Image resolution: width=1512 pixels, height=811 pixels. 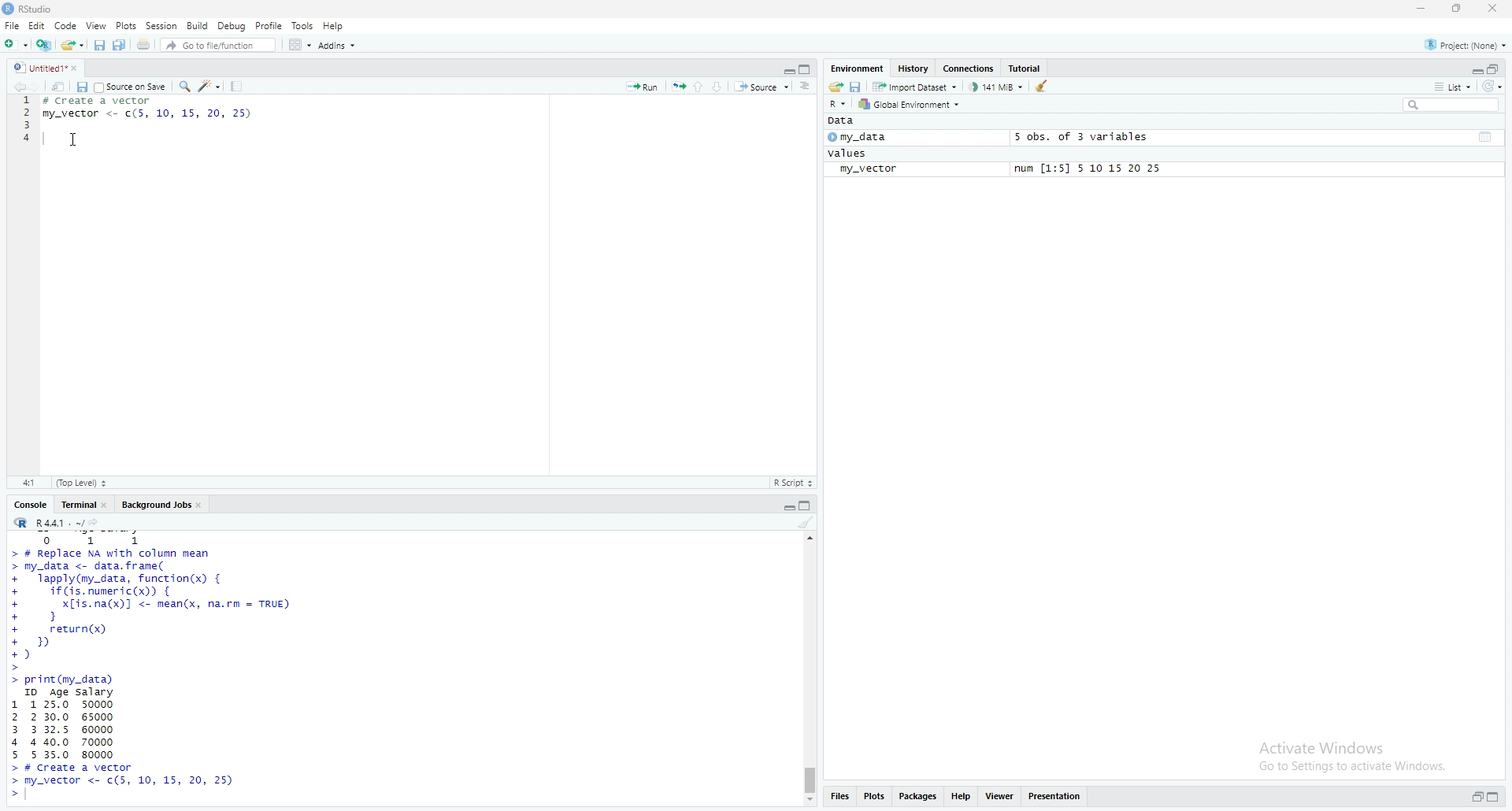 What do you see at coordinates (39, 87) in the screenshot?
I see `go forward` at bounding box center [39, 87].